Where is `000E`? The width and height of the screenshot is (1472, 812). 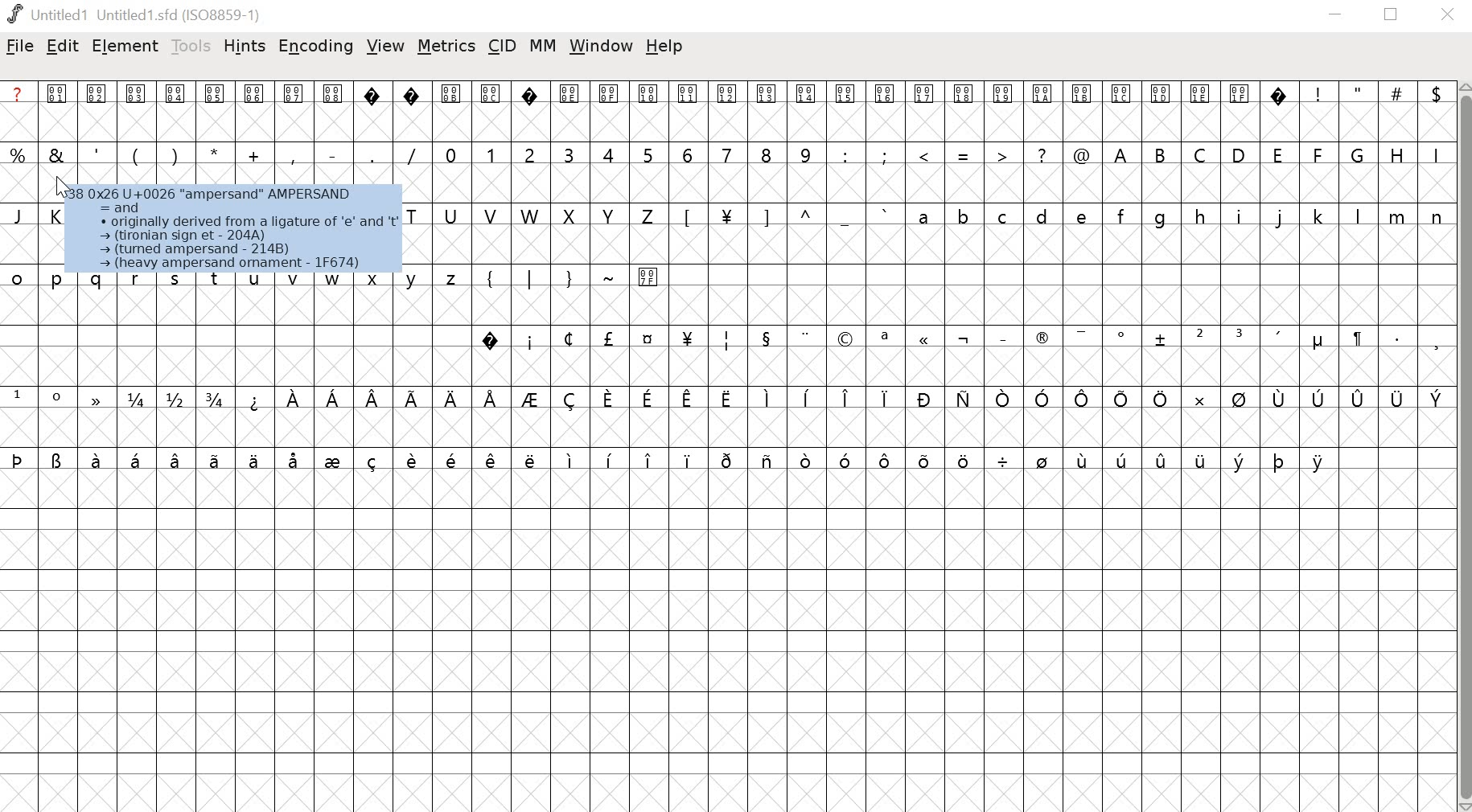
000E is located at coordinates (569, 112).